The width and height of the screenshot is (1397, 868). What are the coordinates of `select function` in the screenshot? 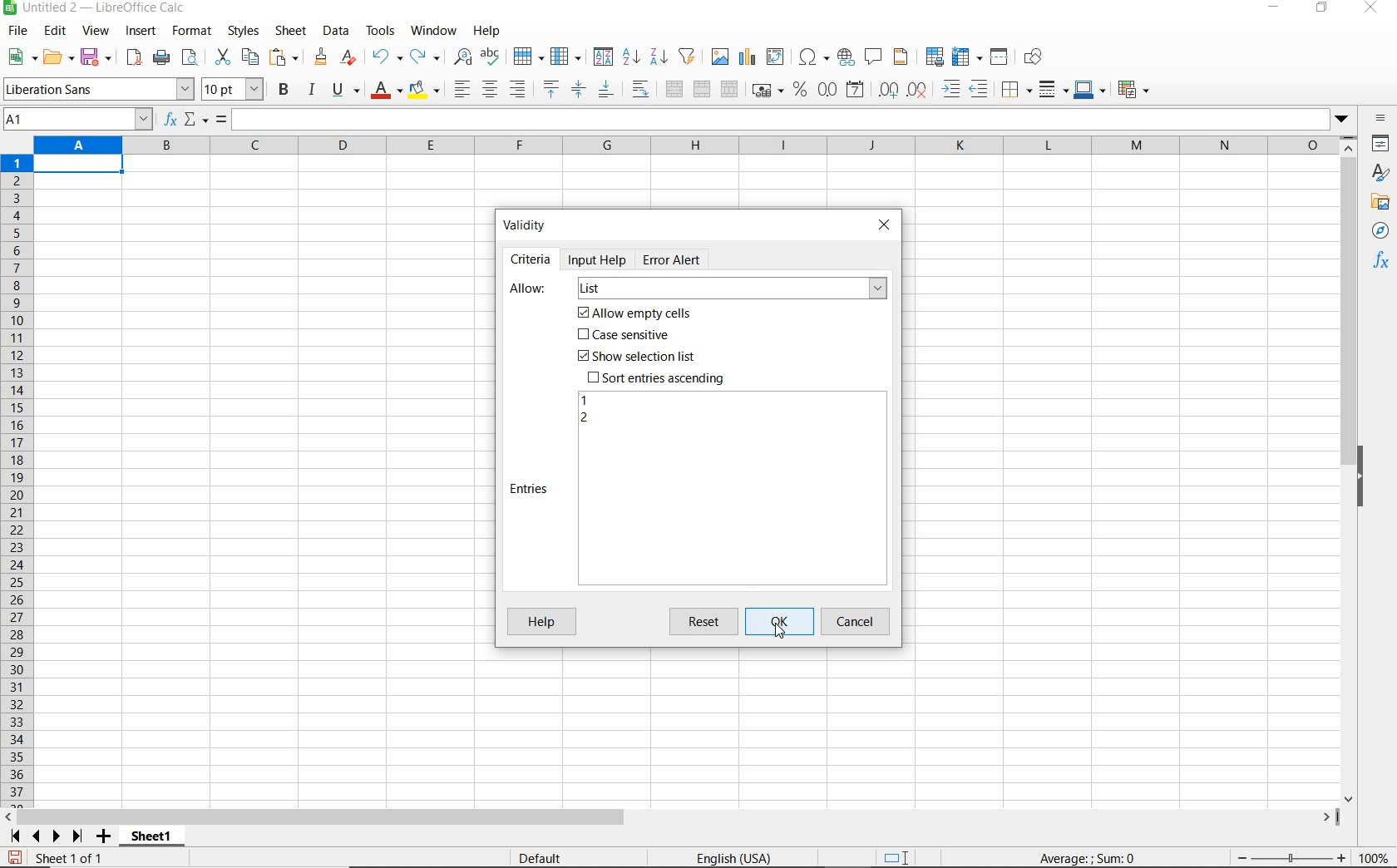 It's located at (196, 121).